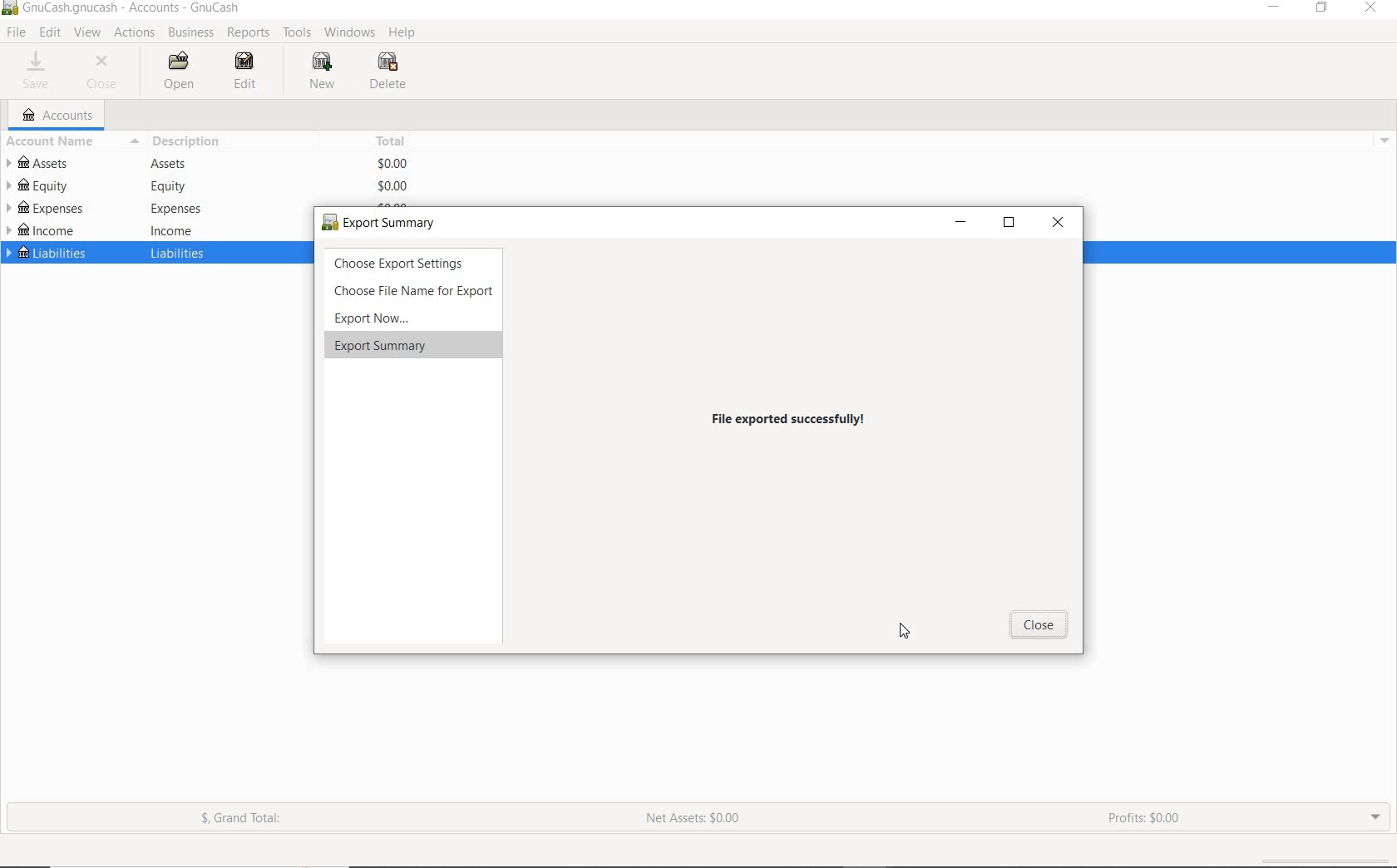  Describe the element at coordinates (135, 36) in the screenshot. I see `ACTIONS` at that location.